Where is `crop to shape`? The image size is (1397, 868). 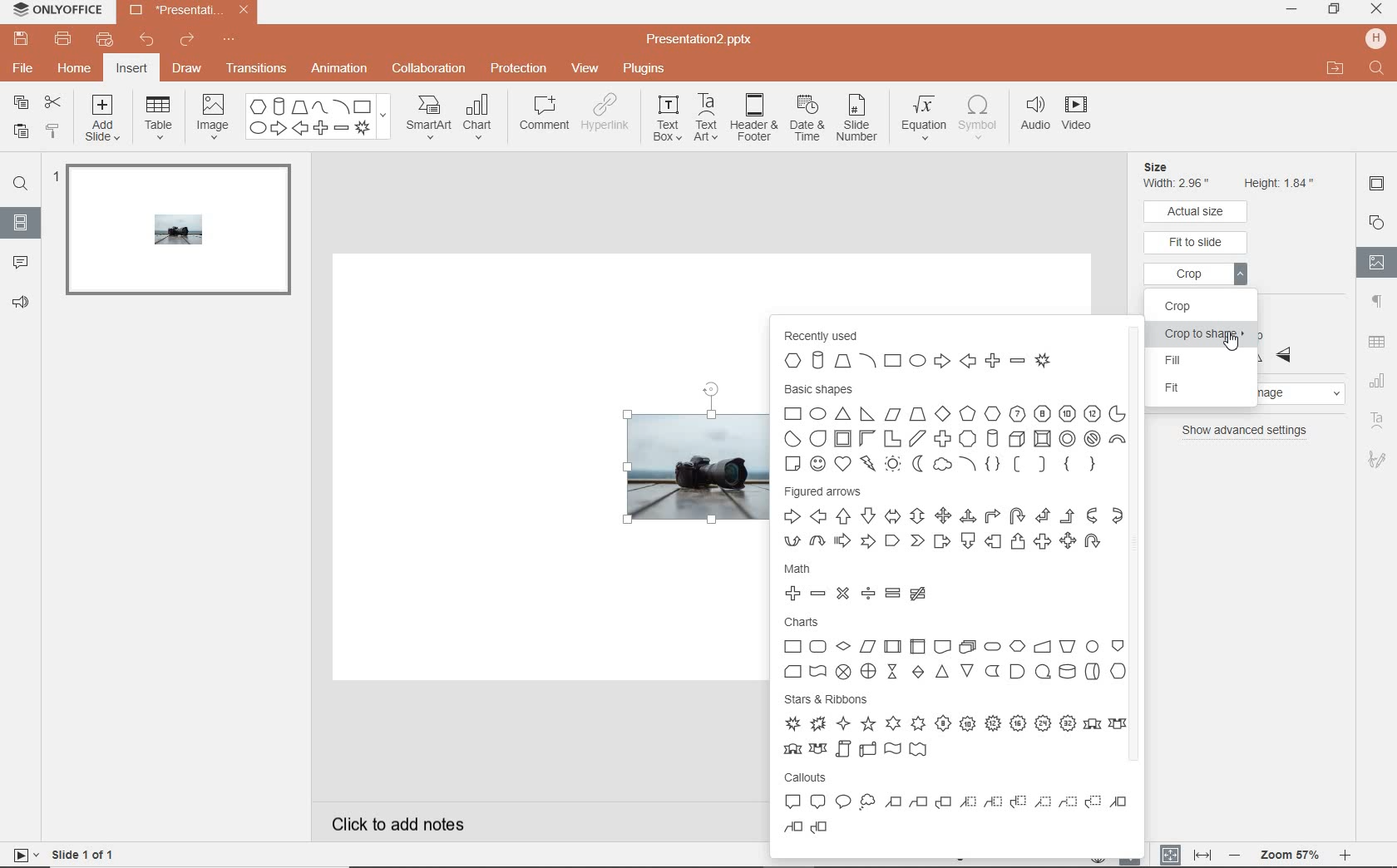 crop to shape is located at coordinates (1204, 336).